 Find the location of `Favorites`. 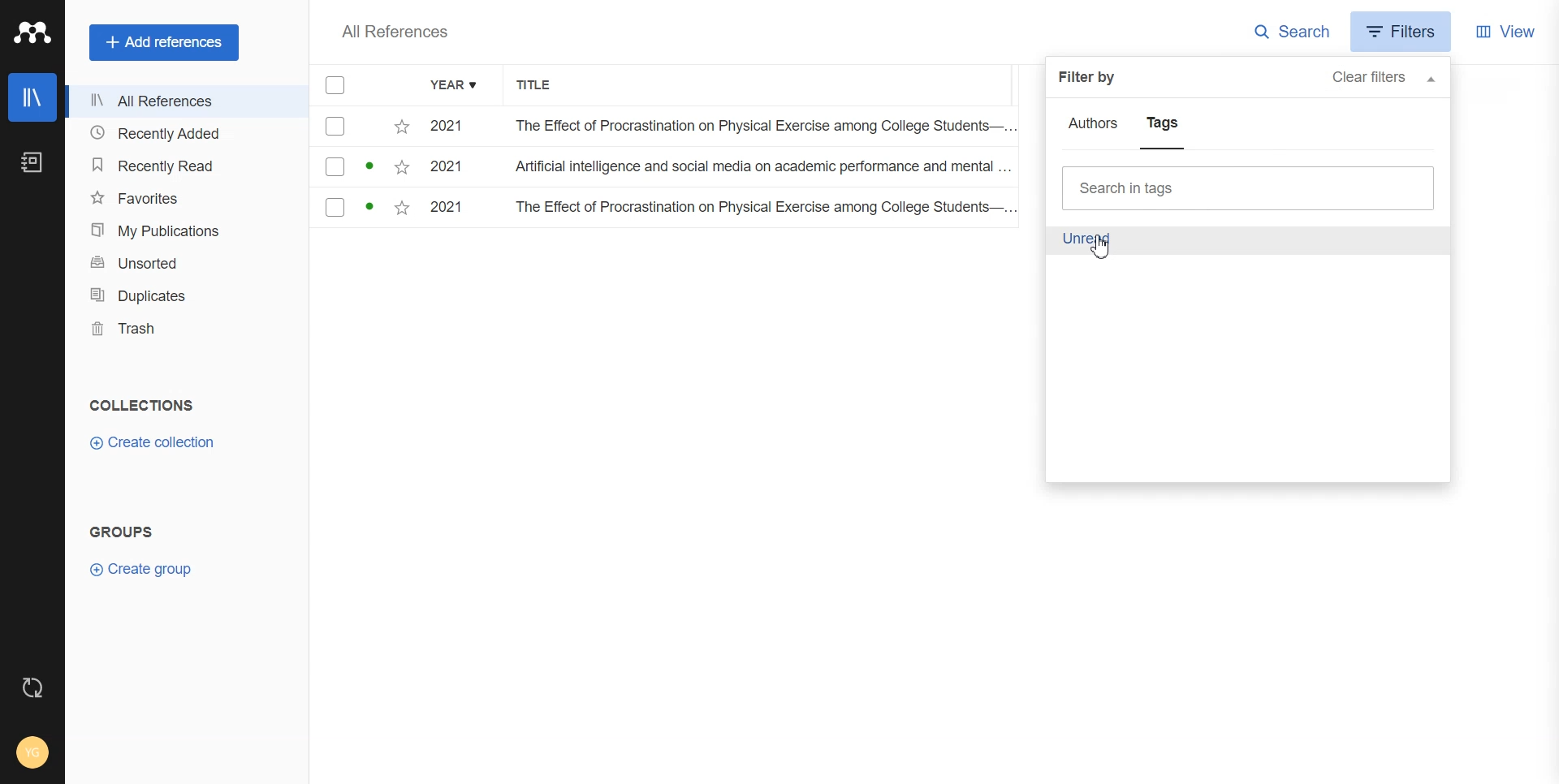

Favorites is located at coordinates (185, 197).